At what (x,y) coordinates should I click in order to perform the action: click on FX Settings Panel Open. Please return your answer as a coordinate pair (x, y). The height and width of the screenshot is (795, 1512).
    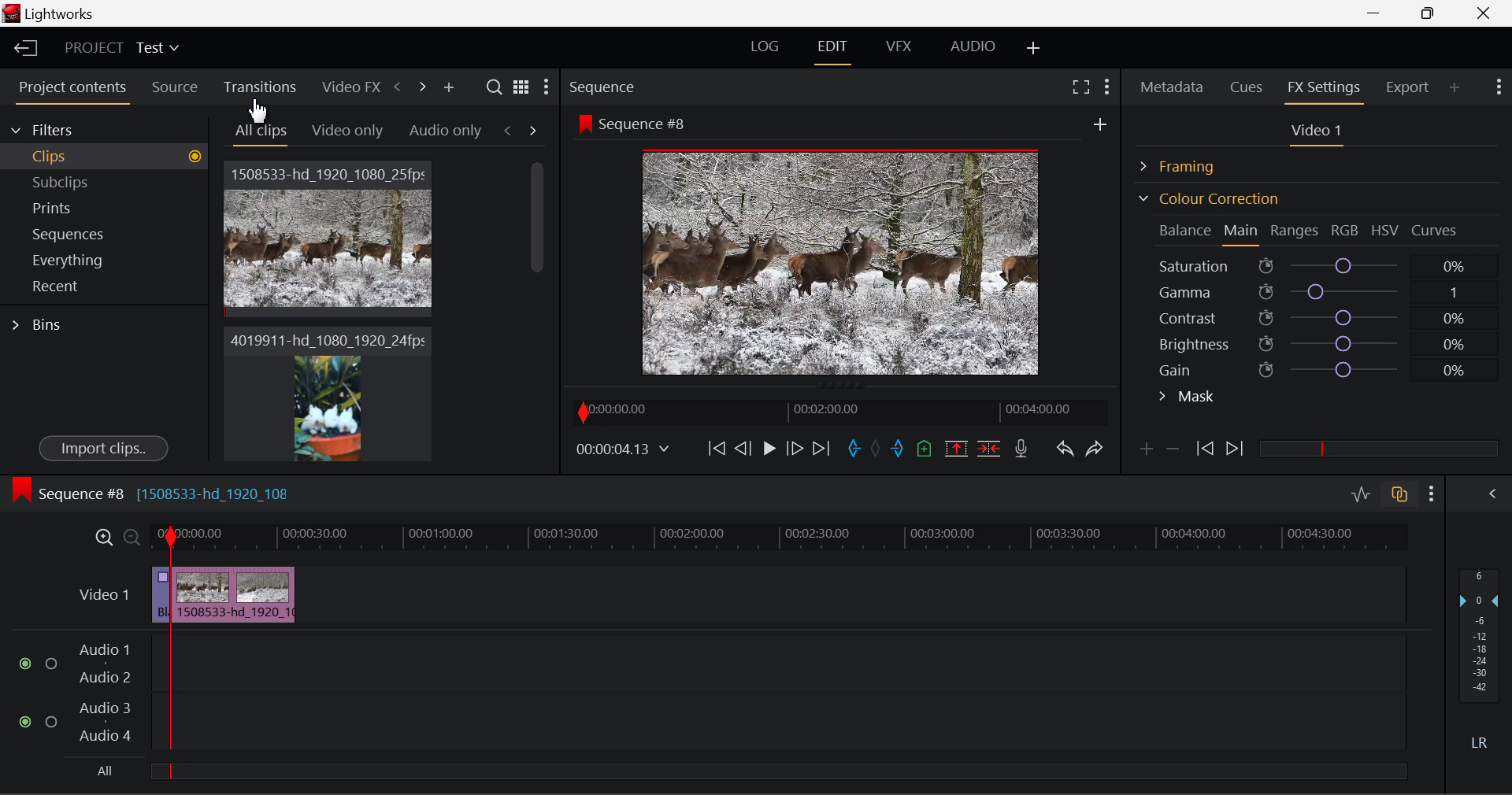
    Looking at the image, I should click on (1325, 89).